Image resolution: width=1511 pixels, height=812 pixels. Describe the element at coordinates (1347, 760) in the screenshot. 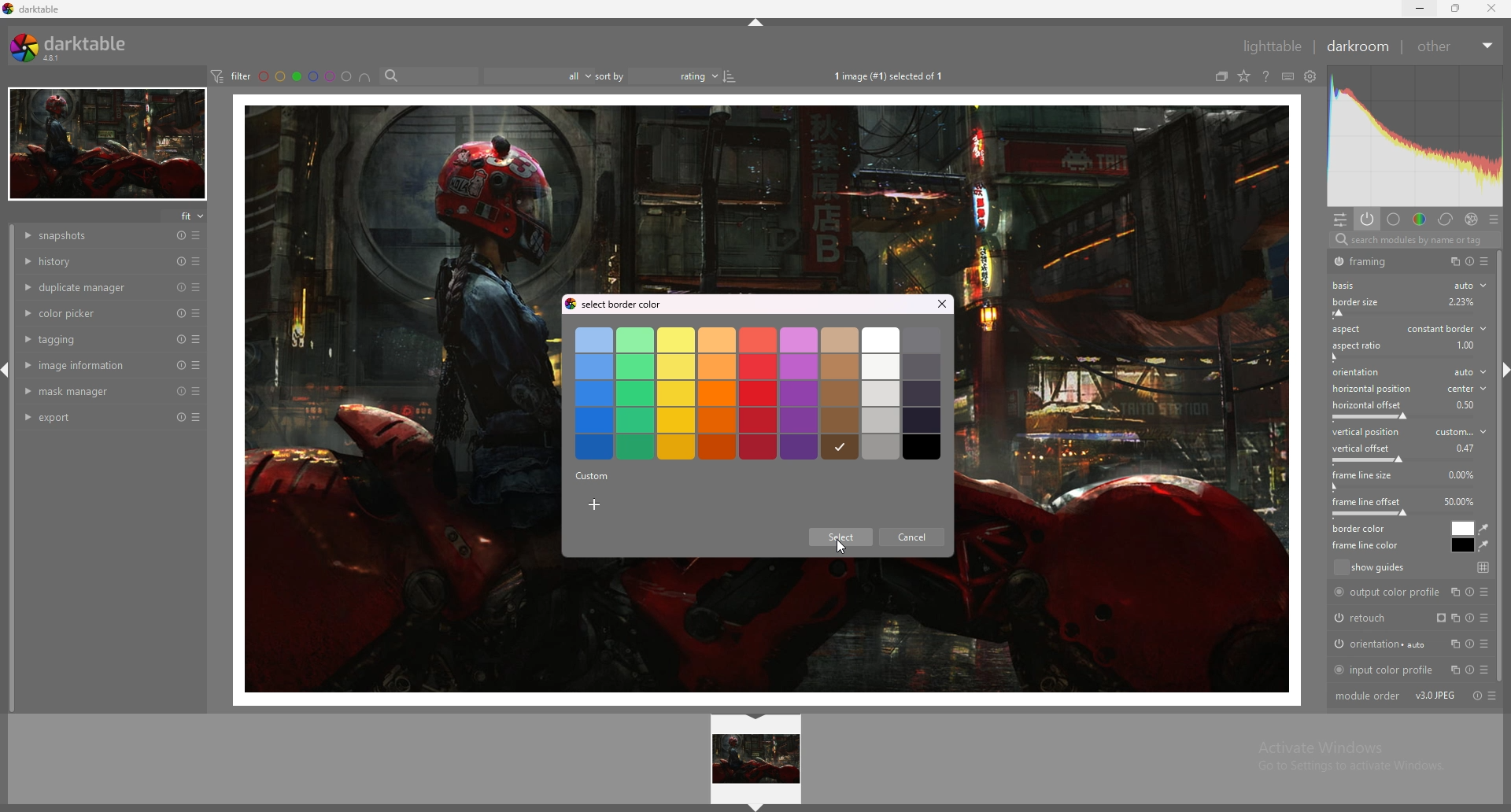

I see `Activate Windows
Go to Settings to activate Windows` at that location.